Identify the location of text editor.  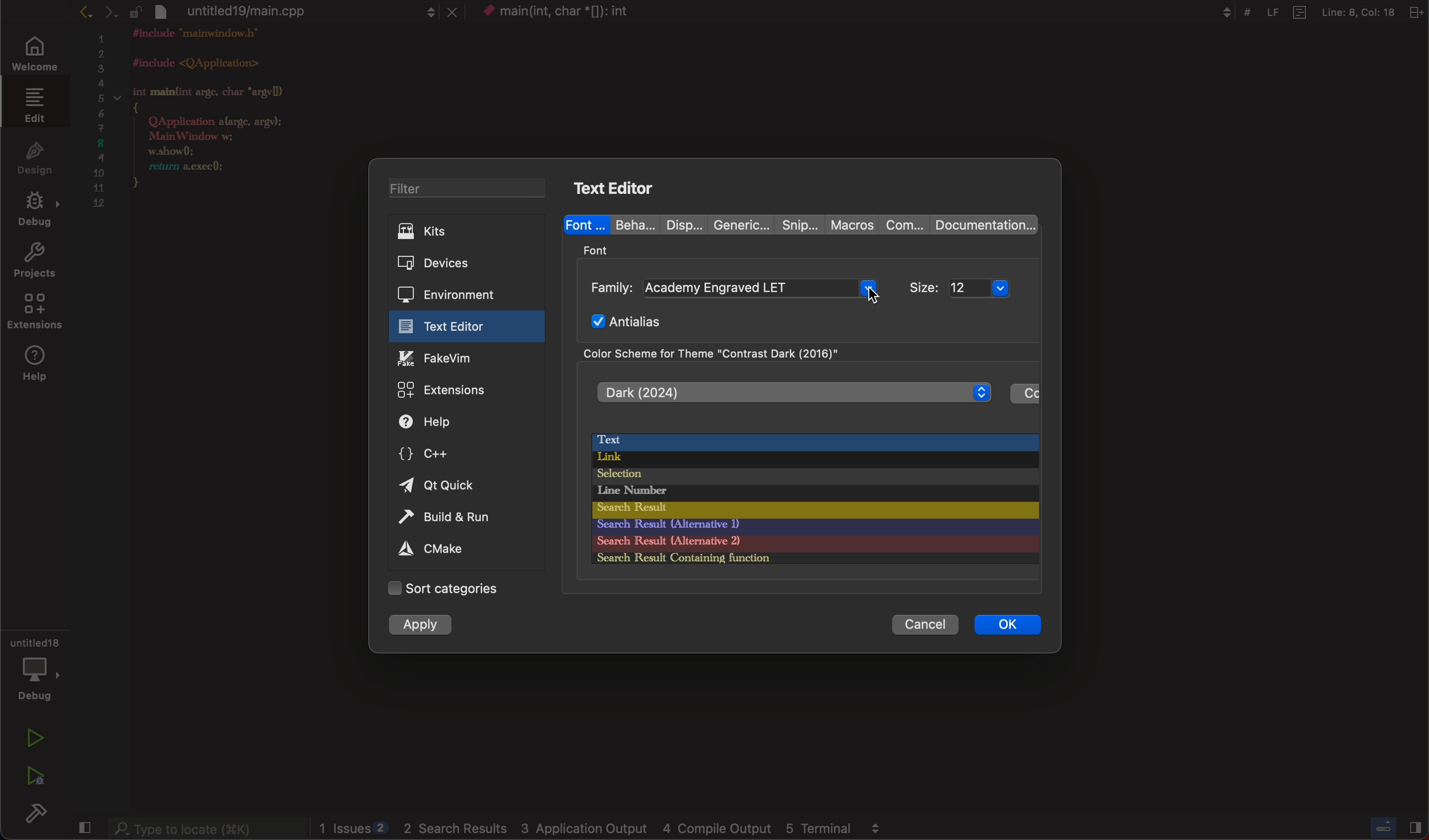
(620, 186).